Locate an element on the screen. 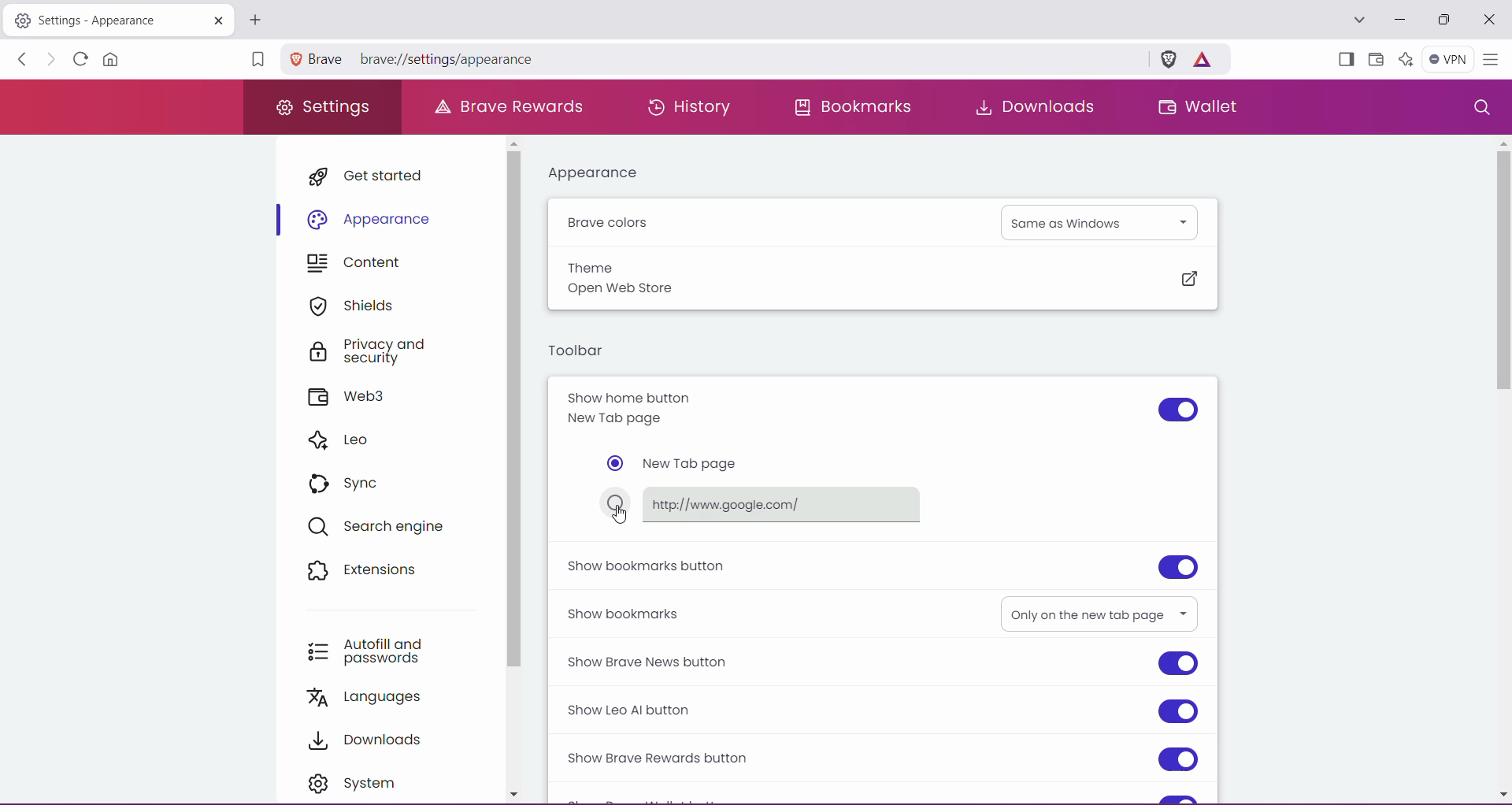 Image resolution: width=1512 pixels, height=805 pixels. Settings location path is located at coordinates (424, 61).